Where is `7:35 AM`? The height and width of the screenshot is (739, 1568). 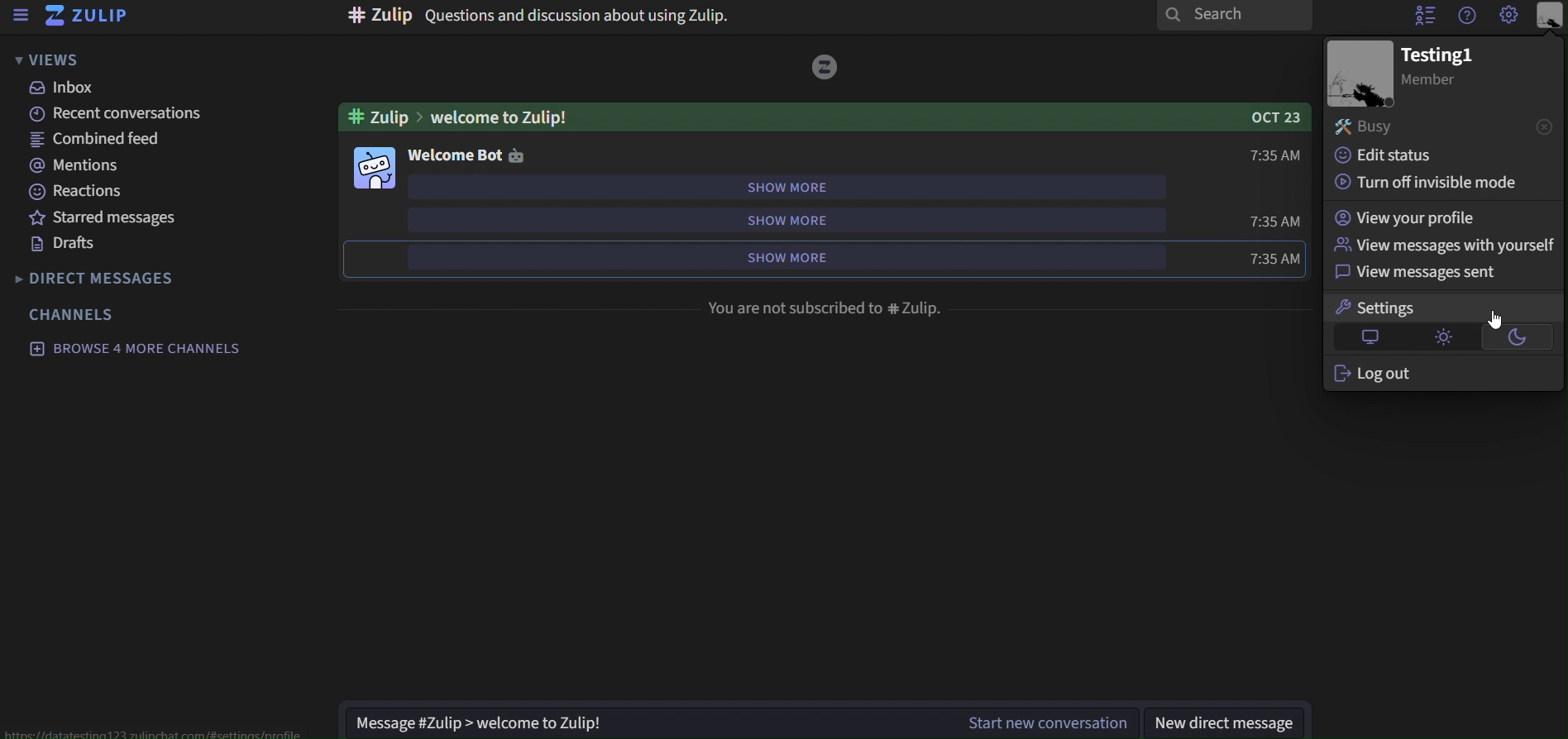
7:35 AM is located at coordinates (1278, 258).